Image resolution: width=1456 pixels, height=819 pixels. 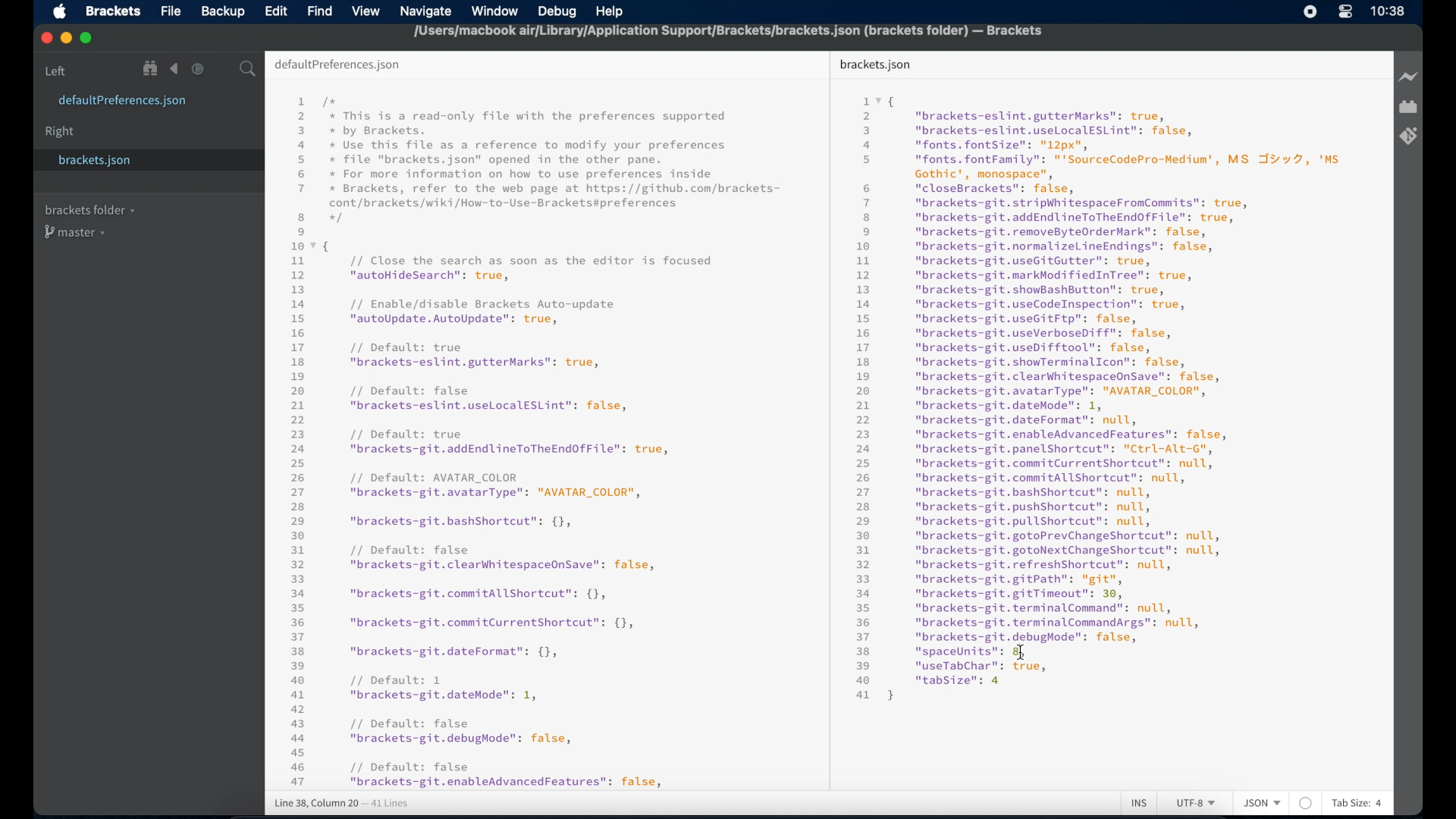 I want to click on json syntax, so click(x=1097, y=399).